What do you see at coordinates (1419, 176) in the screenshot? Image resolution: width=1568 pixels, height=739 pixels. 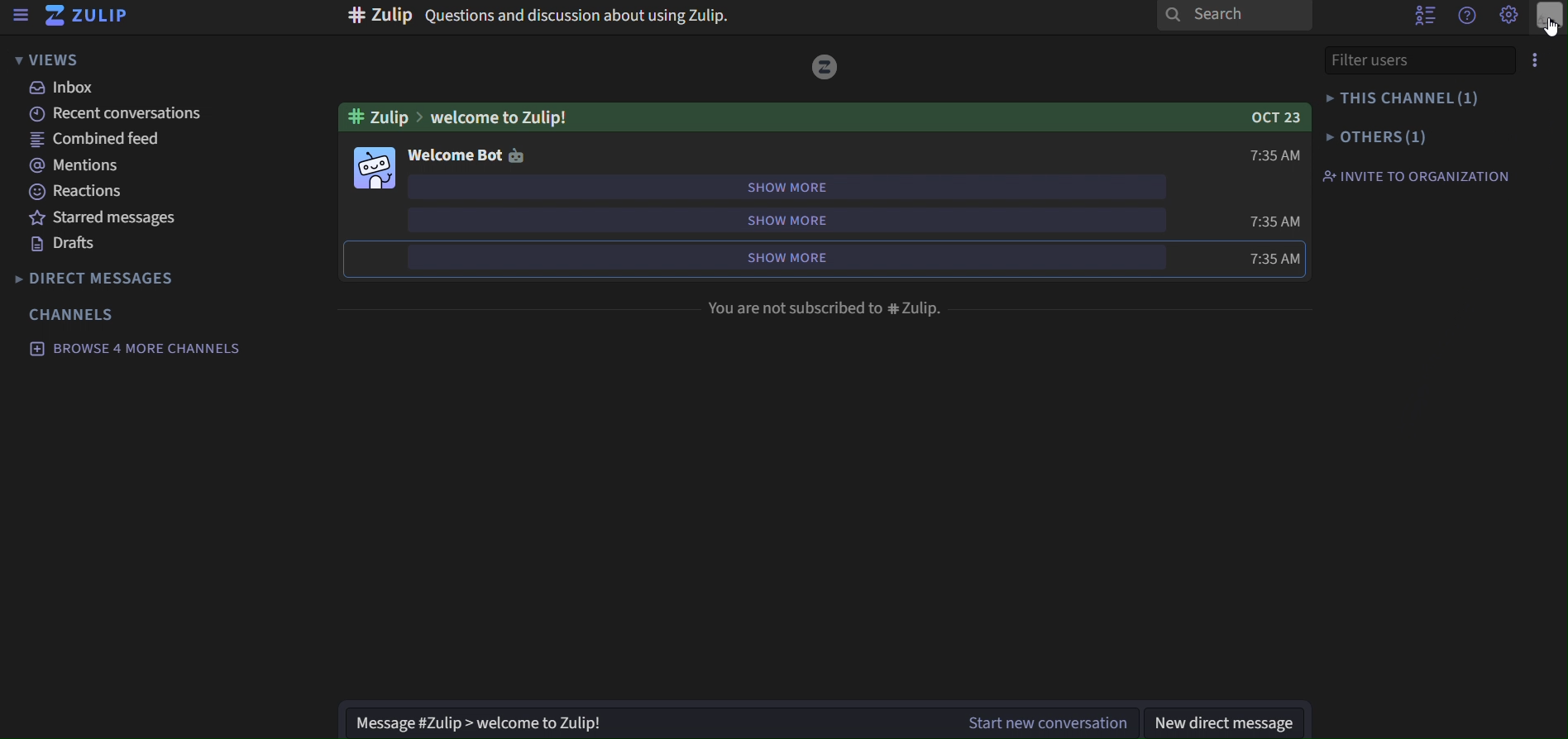 I see `invite to organization` at bounding box center [1419, 176].